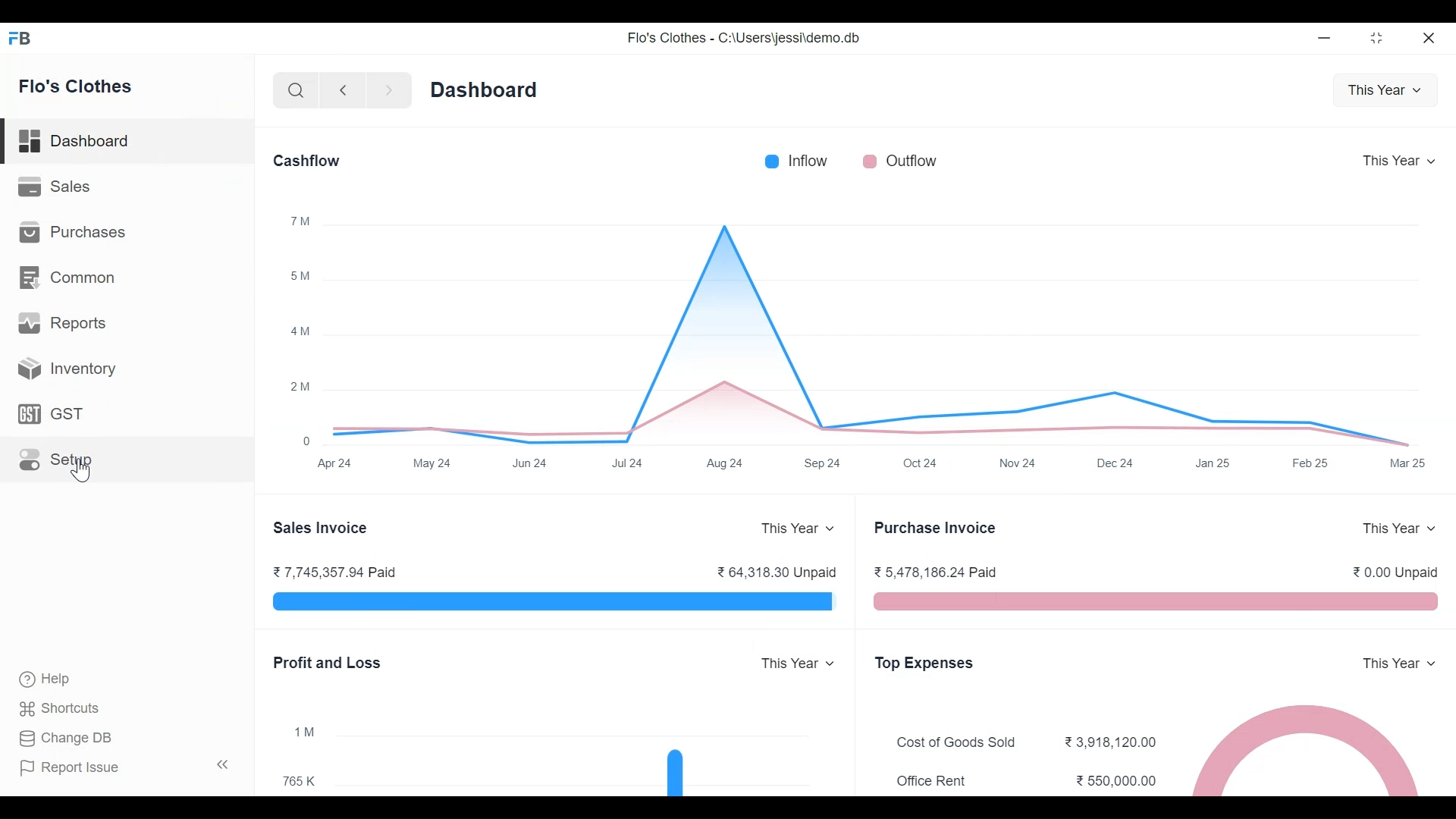 The width and height of the screenshot is (1456, 819). What do you see at coordinates (937, 526) in the screenshot?
I see `Purchase Invoice` at bounding box center [937, 526].